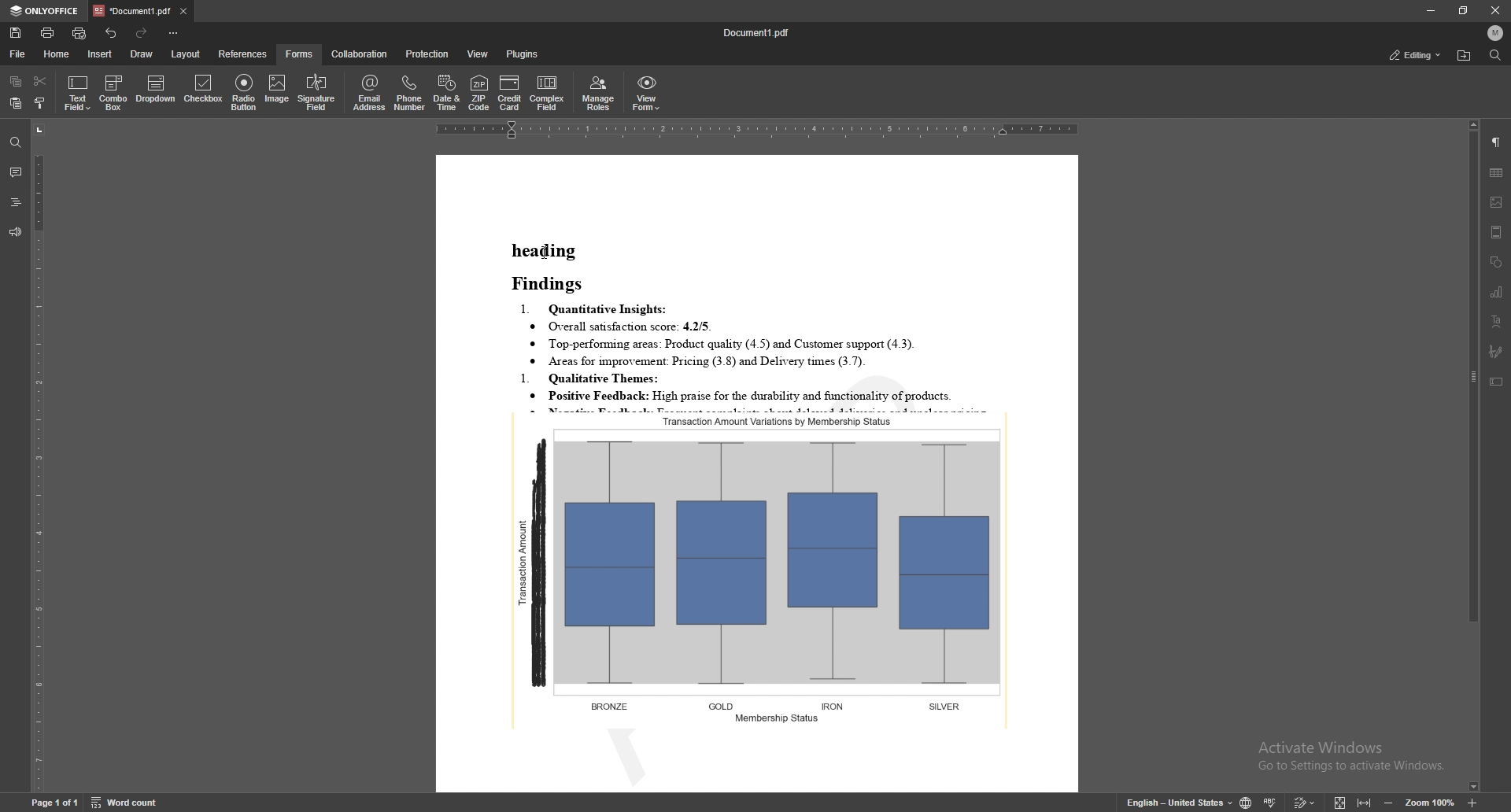  Describe the element at coordinates (243, 94) in the screenshot. I see `radio button` at that location.